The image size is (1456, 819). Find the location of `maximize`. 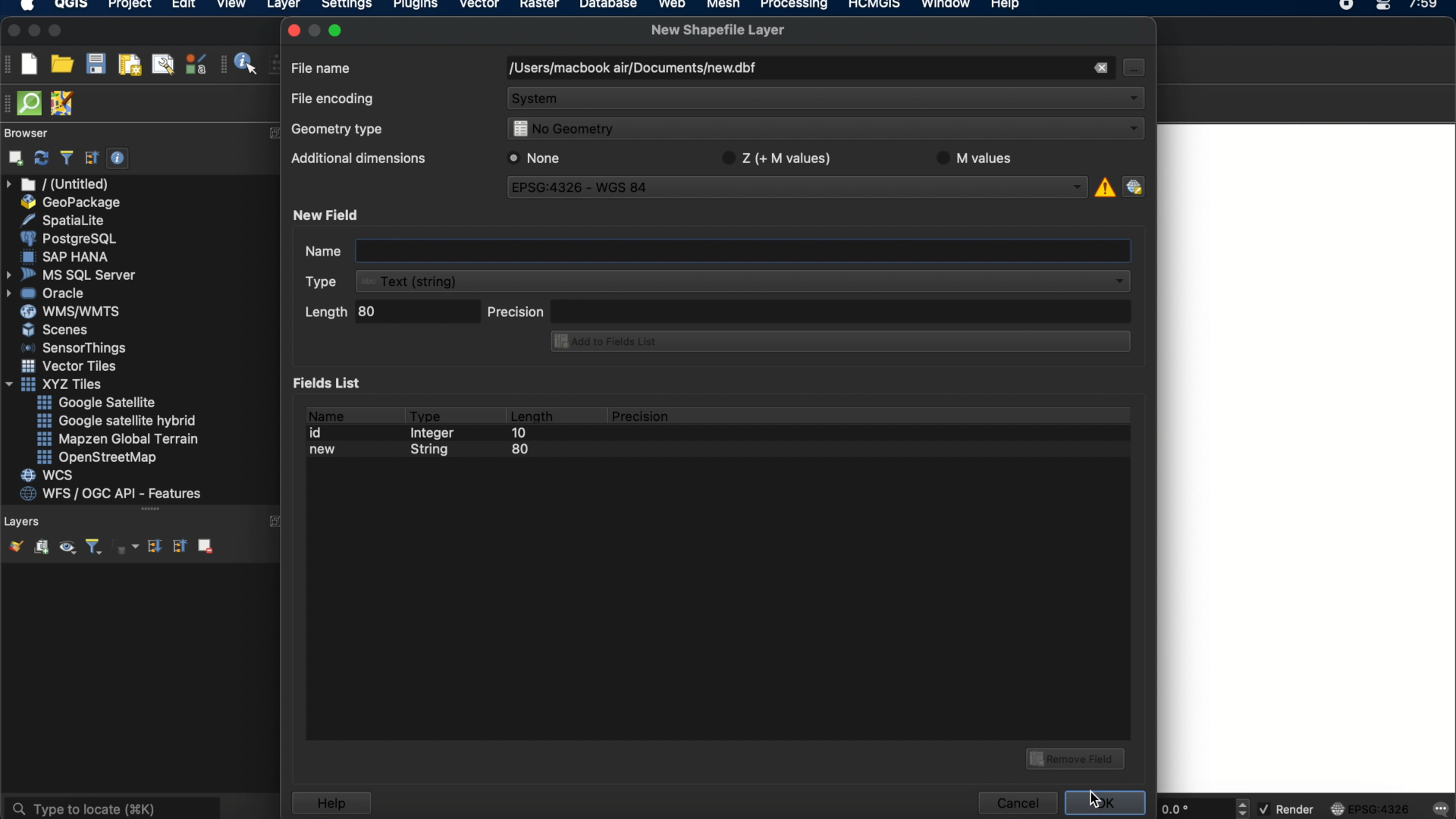

maximize is located at coordinates (56, 32).